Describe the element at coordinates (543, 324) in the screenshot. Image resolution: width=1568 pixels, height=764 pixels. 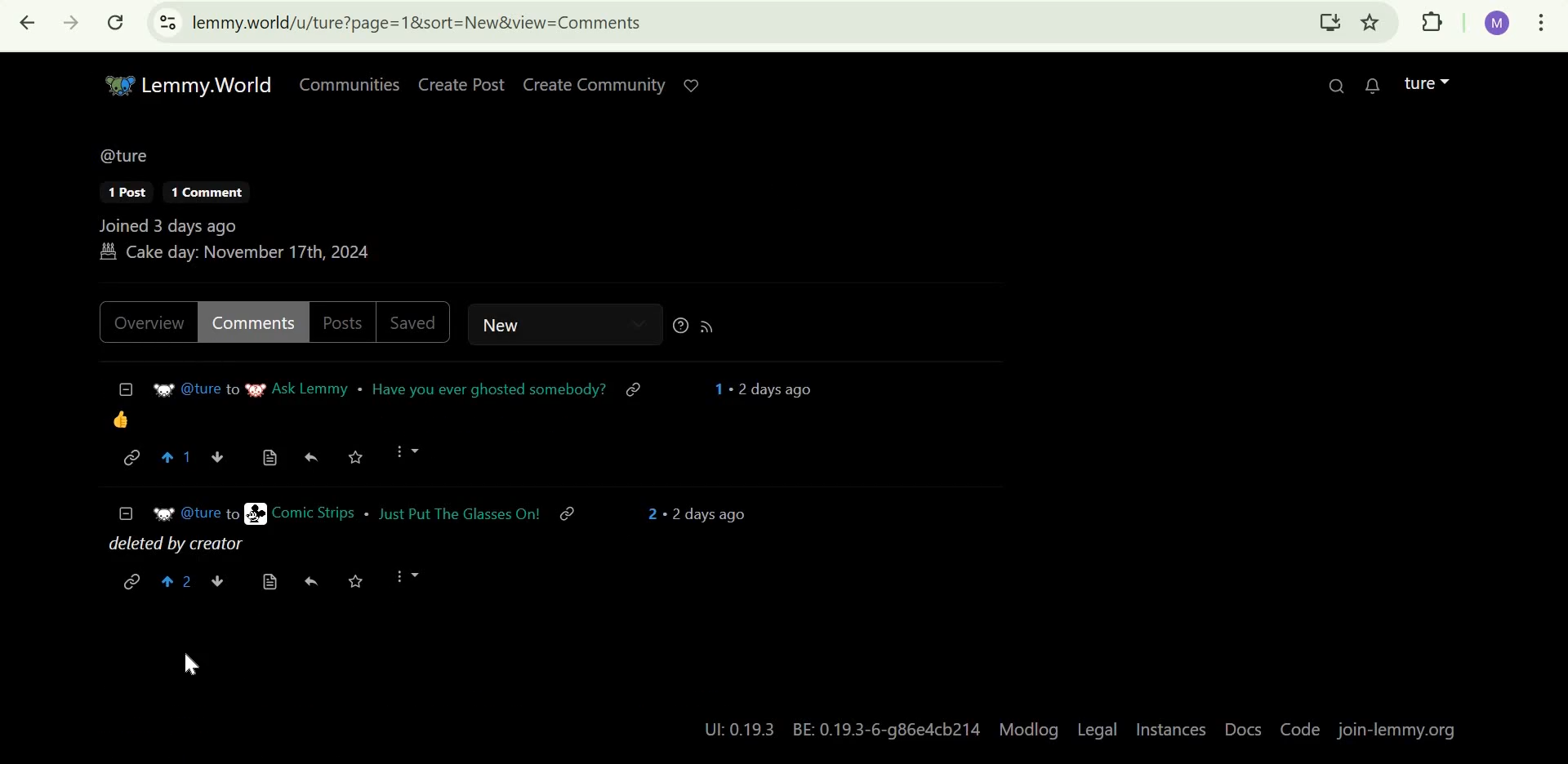
I see `New` at that location.